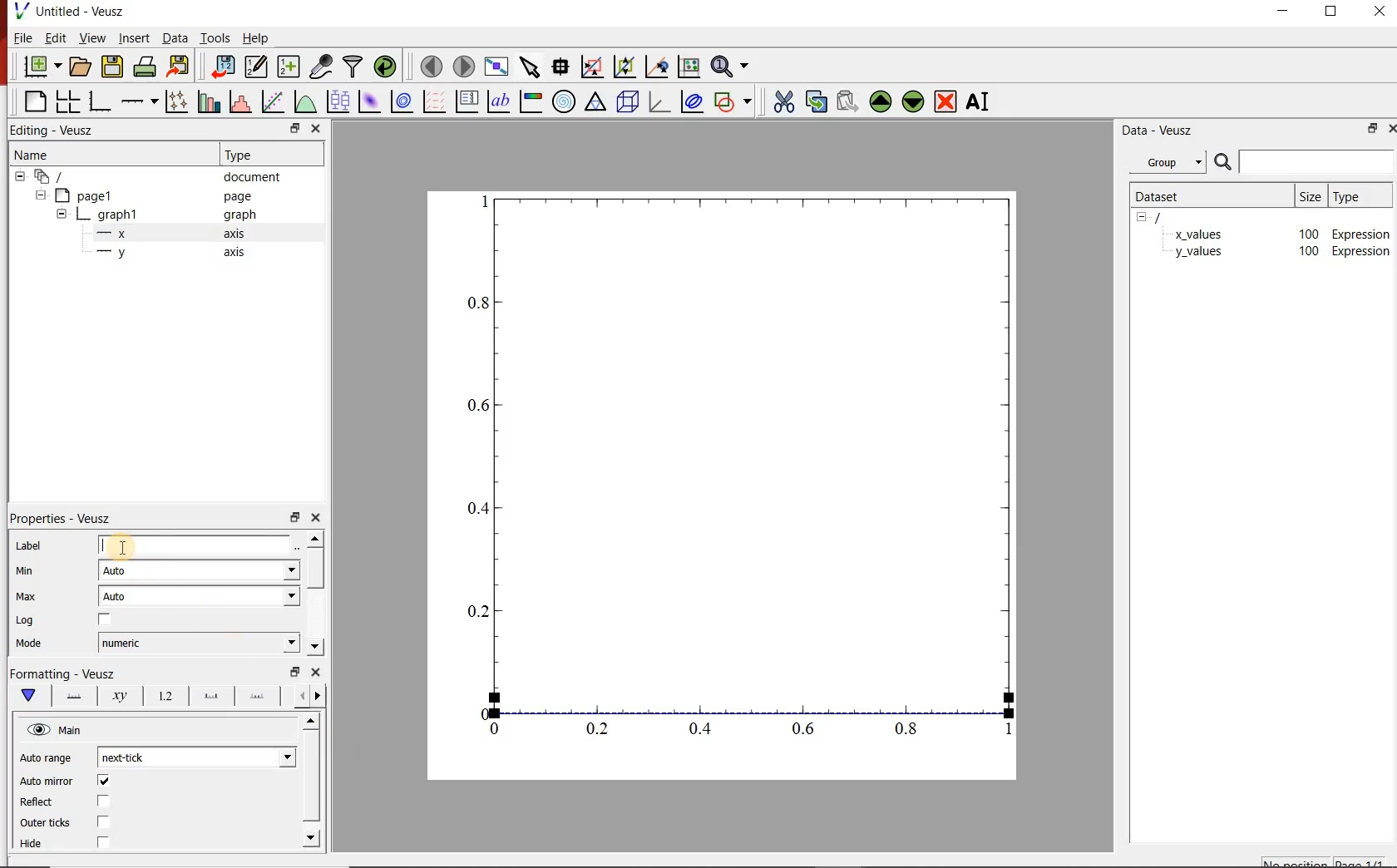 The height and width of the screenshot is (868, 1397). I want to click on add shape, so click(733, 102).